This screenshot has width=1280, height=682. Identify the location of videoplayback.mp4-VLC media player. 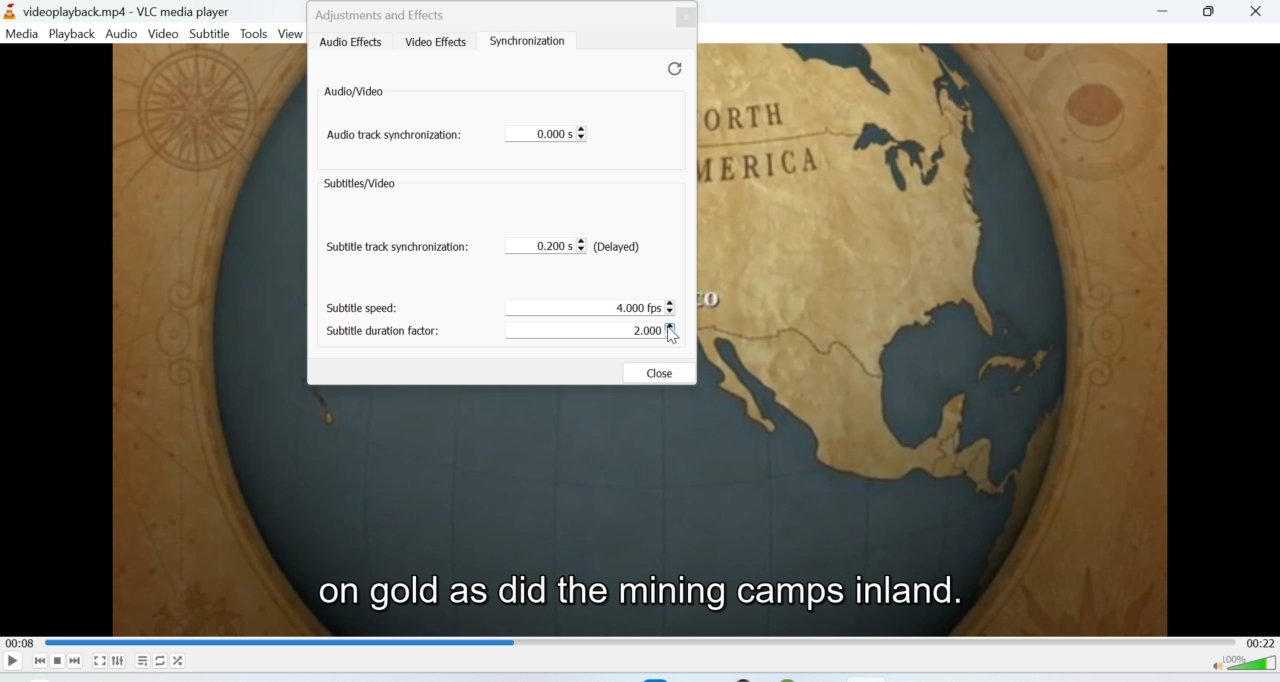
(120, 12).